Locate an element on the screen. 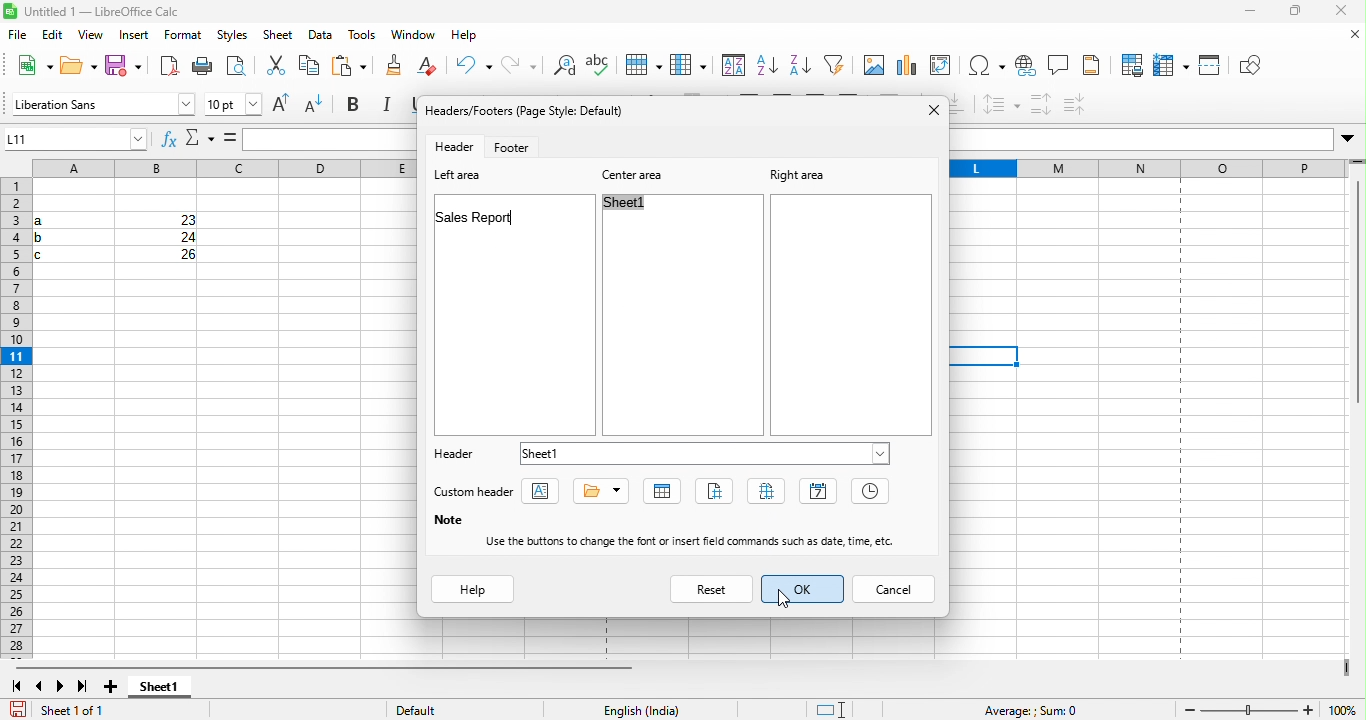 Image resolution: width=1366 pixels, height=720 pixels. comment is located at coordinates (1060, 67).